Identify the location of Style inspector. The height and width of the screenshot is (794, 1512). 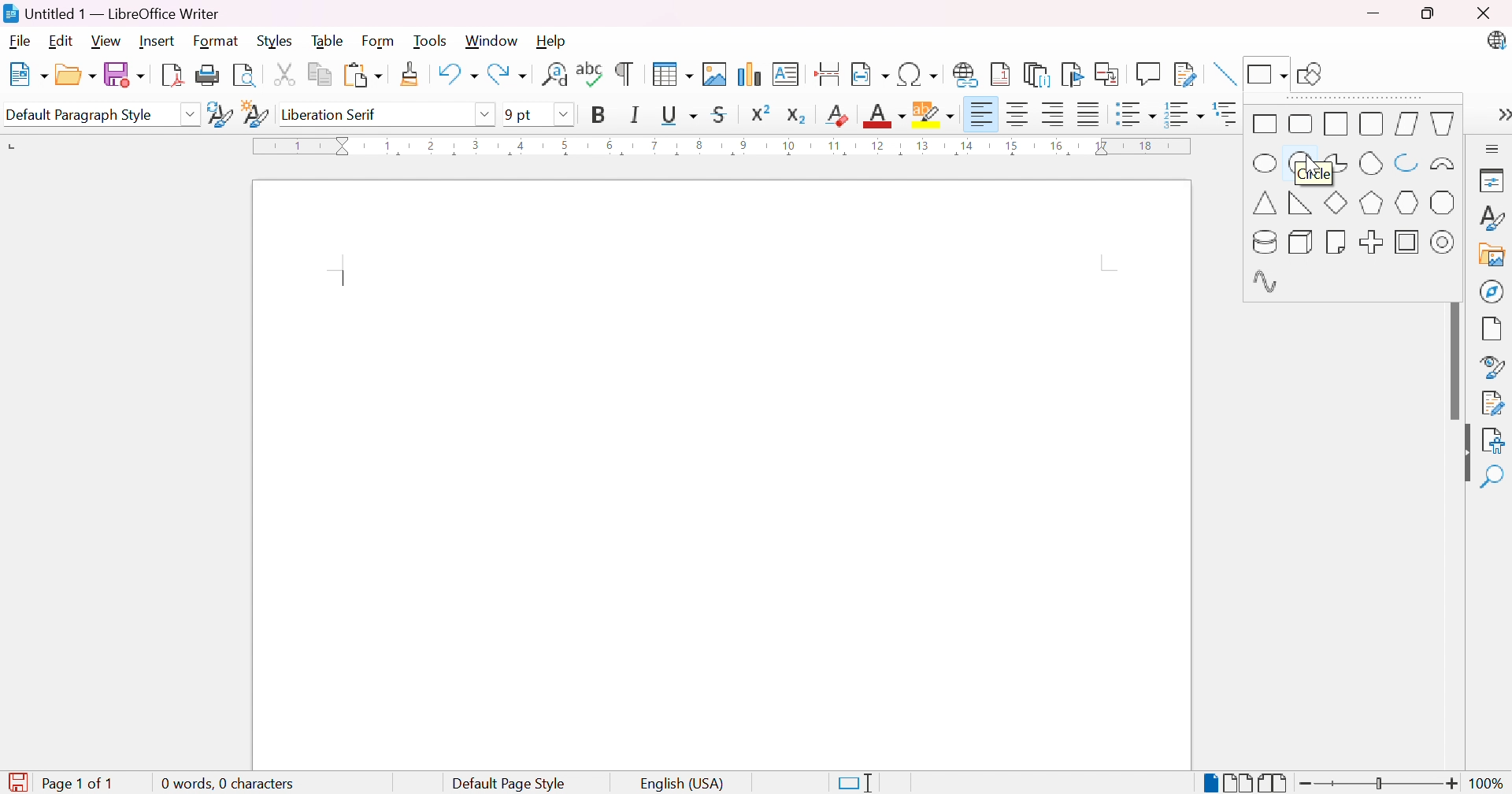
(1494, 368).